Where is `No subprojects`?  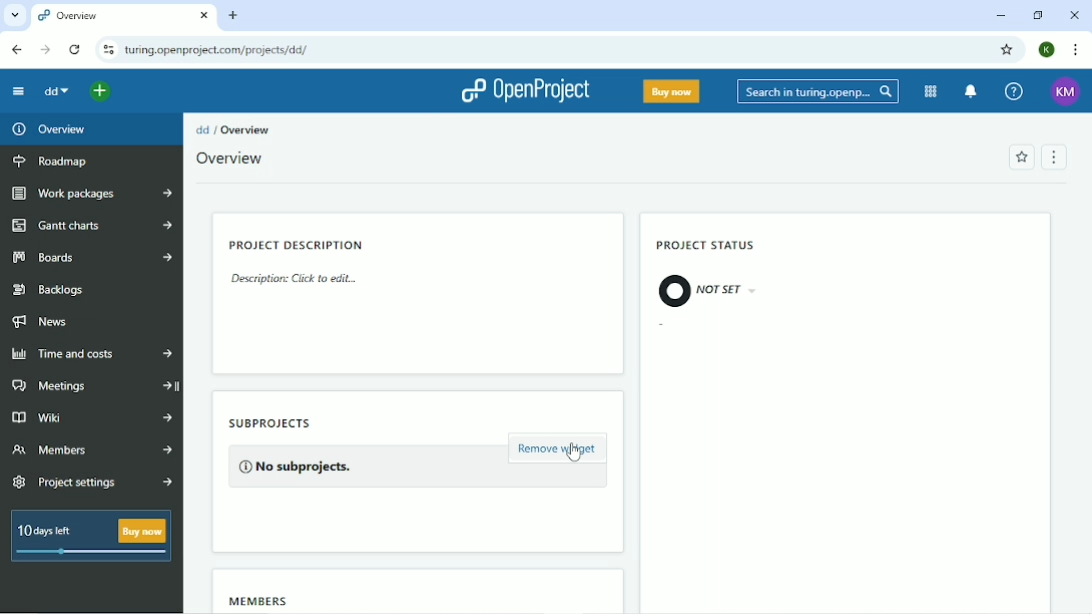 No subprojects is located at coordinates (296, 465).